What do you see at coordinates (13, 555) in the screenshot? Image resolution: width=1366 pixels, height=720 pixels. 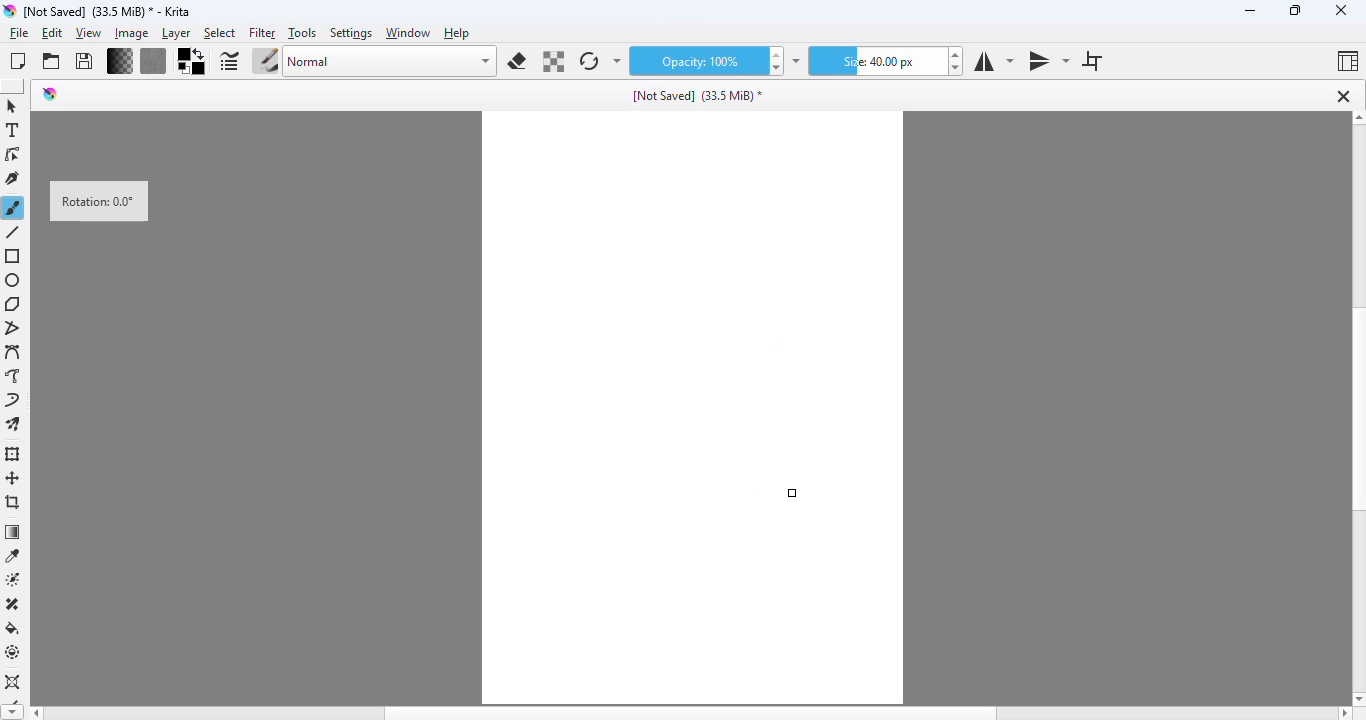 I see `sample a color from the image or current layer` at bounding box center [13, 555].